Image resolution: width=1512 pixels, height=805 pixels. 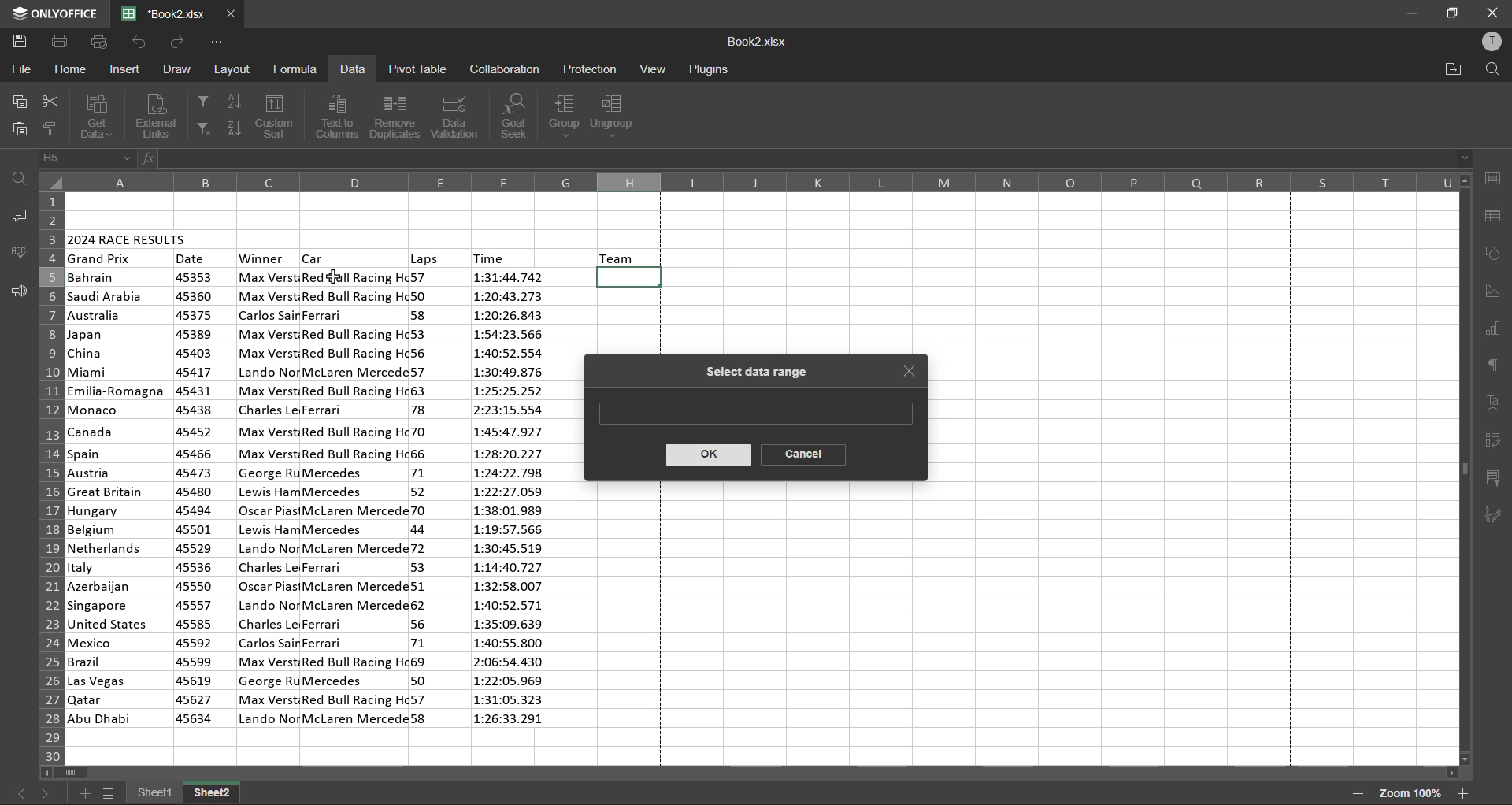 What do you see at coordinates (392, 117) in the screenshot?
I see `remove duplicates` at bounding box center [392, 117].